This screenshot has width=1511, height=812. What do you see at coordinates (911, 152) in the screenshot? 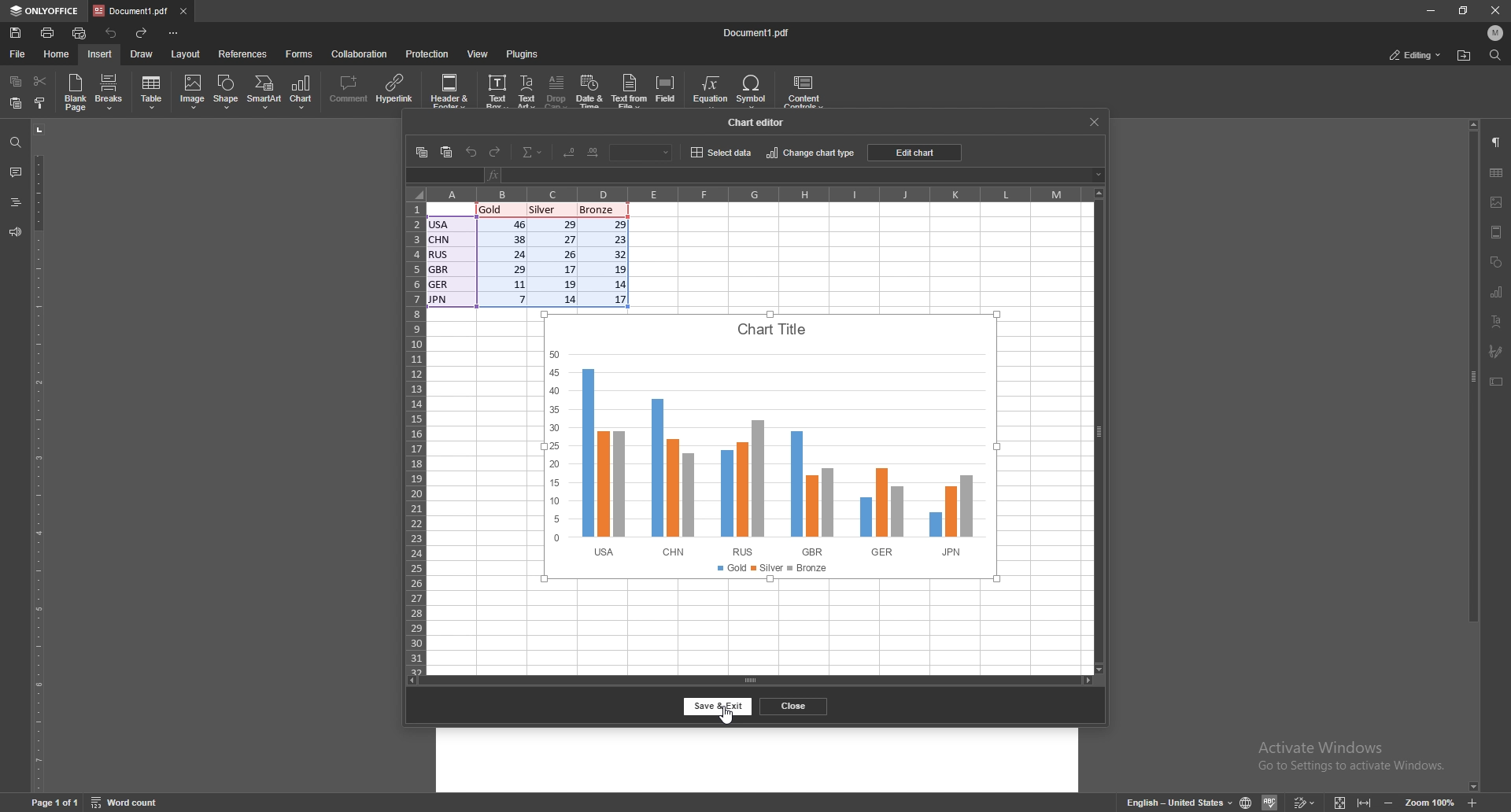
I see `edit chart` at bounding box center [911, 152].